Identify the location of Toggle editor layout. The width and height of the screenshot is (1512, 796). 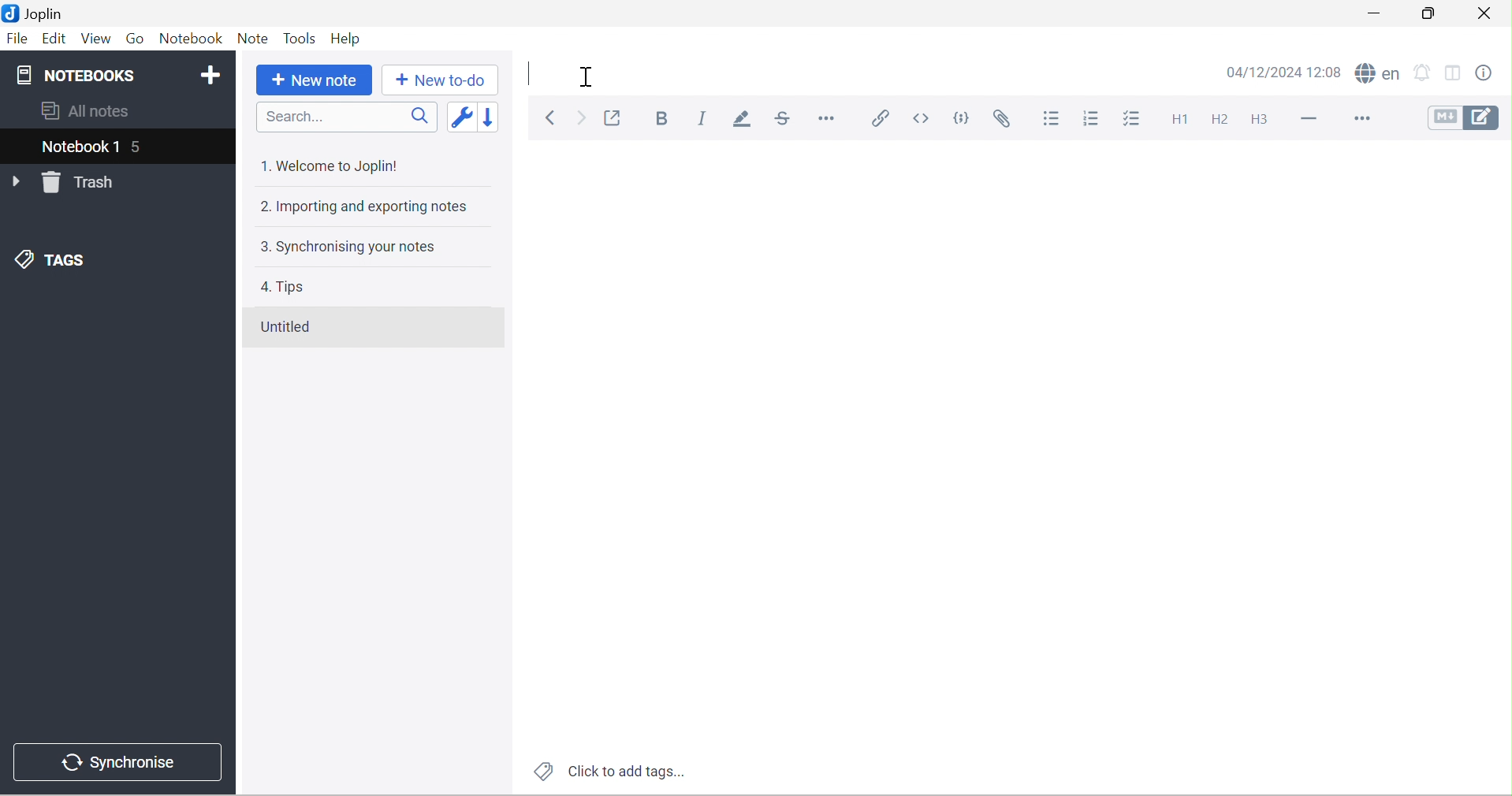
(1456, 71).